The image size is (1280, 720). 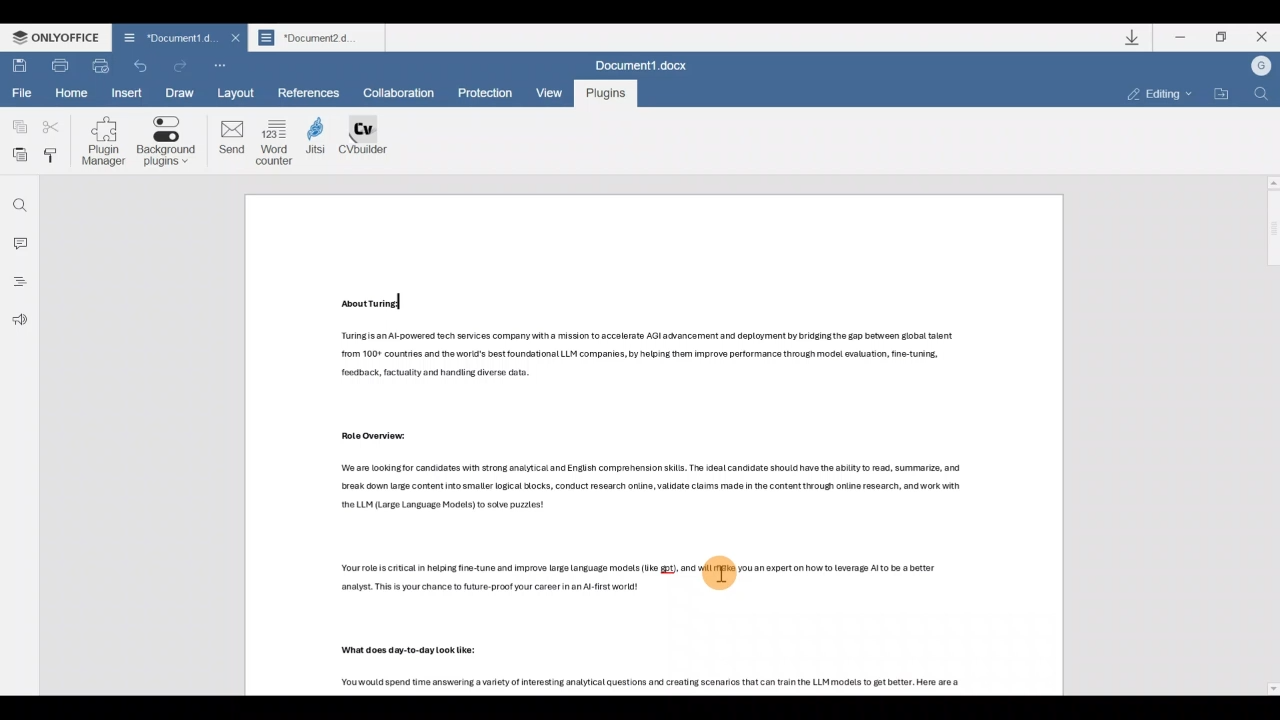 What do you see at coordinates (104, 66) in the screenshot?
I see `Quick print` at bounding box center [104, 66].